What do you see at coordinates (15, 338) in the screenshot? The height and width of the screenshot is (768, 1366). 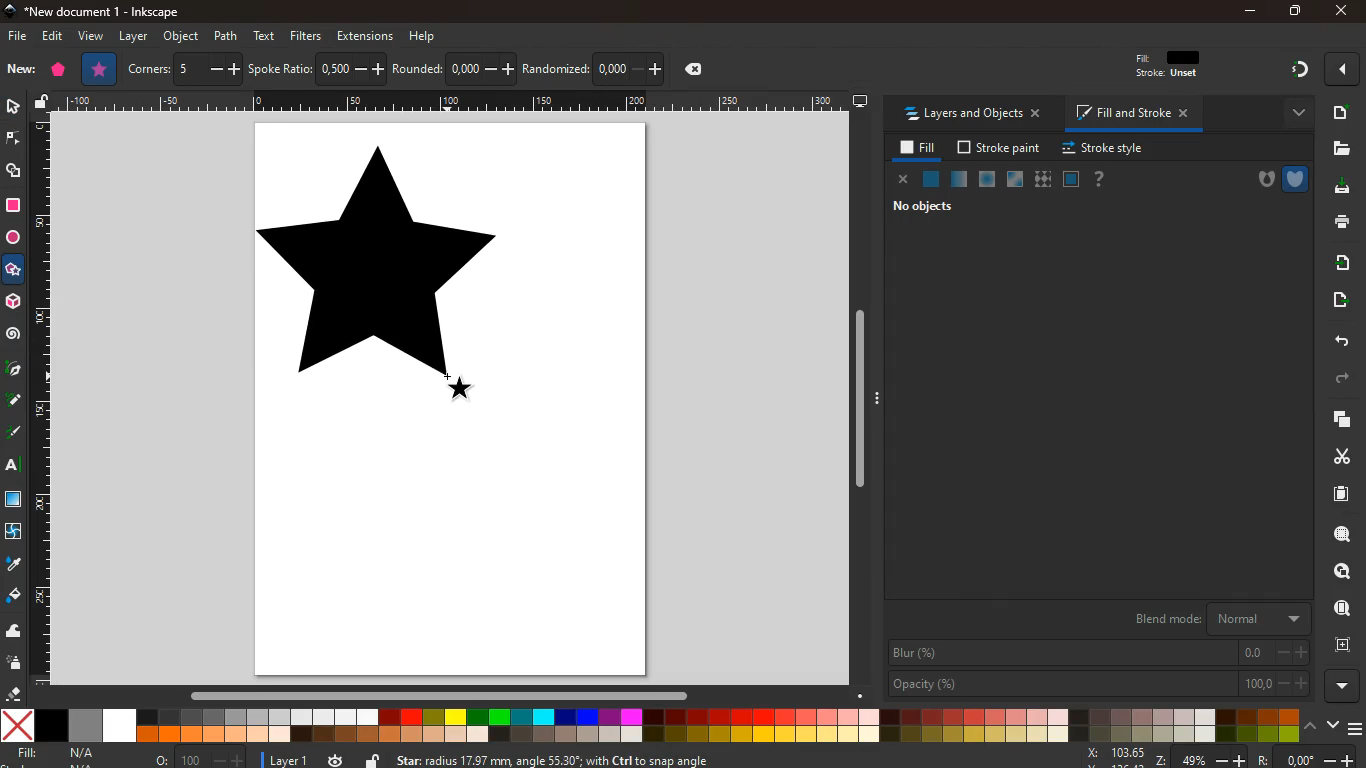 I see `spiral` at bounding box center [15, 338].